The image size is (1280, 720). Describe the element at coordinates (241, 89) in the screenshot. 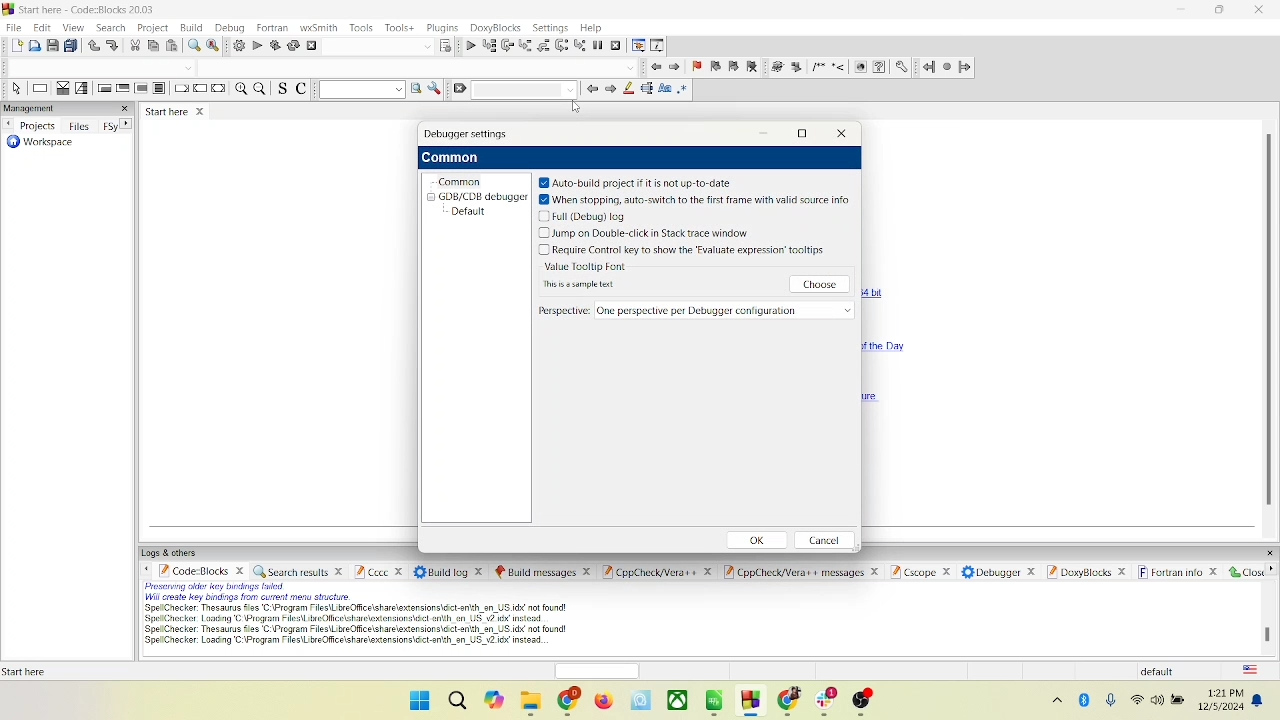

I see `zoom in` at that location.